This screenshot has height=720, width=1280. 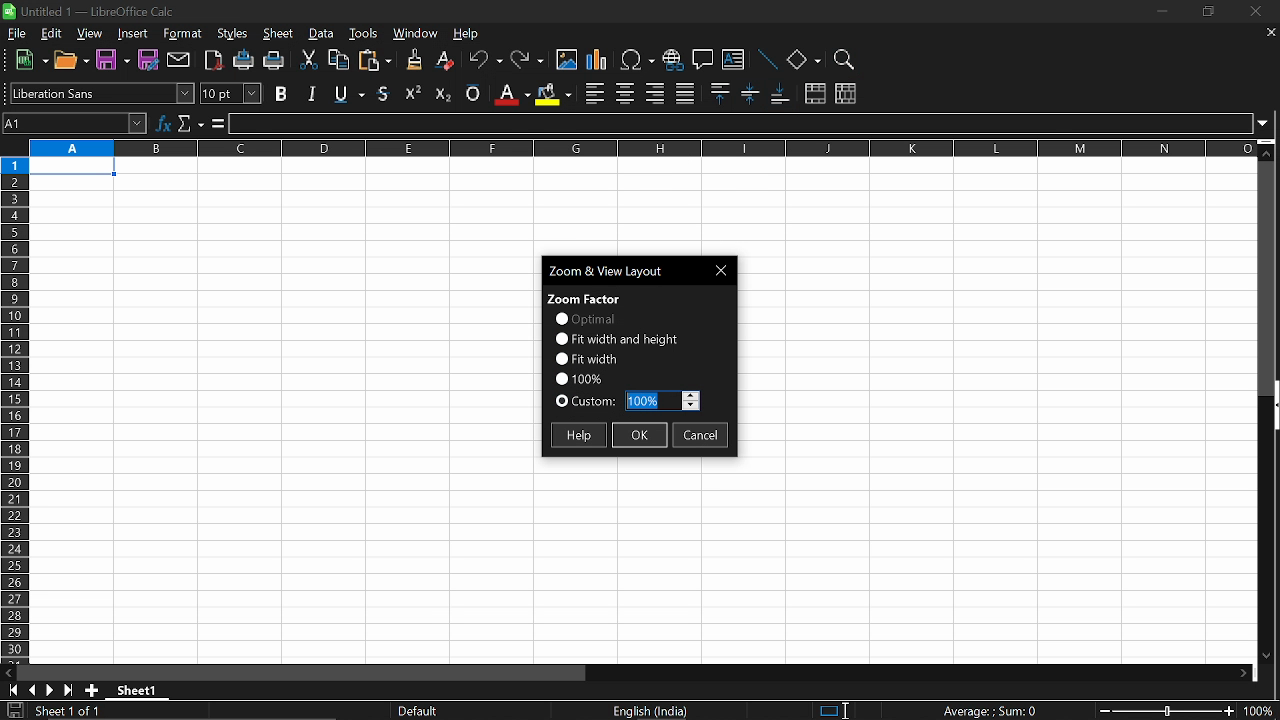 What do you see at coordinates (511, 94) in the screenshot?
I see `fontcolor` at bounding box center [511, 94].